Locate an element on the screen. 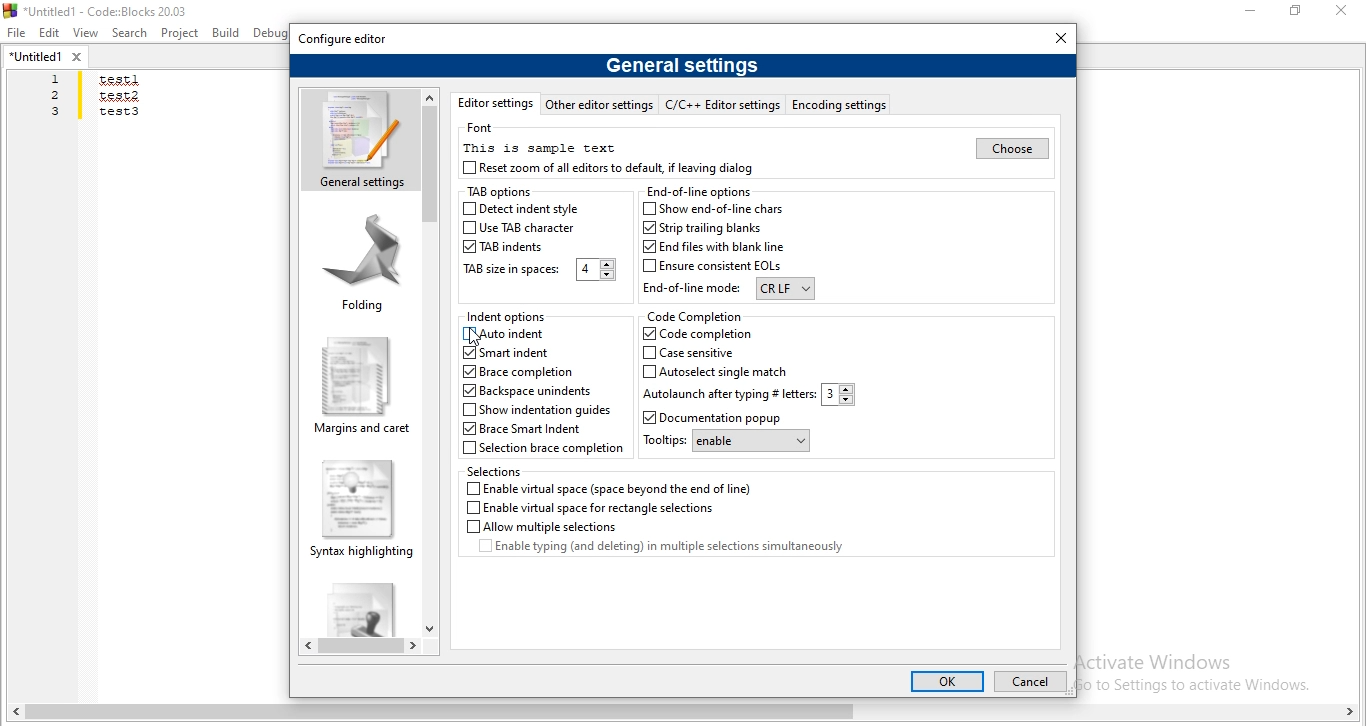 Image resolution: width=1366 pixels, height=726 pixels. scroll bar is located at coordinates (361, 647).